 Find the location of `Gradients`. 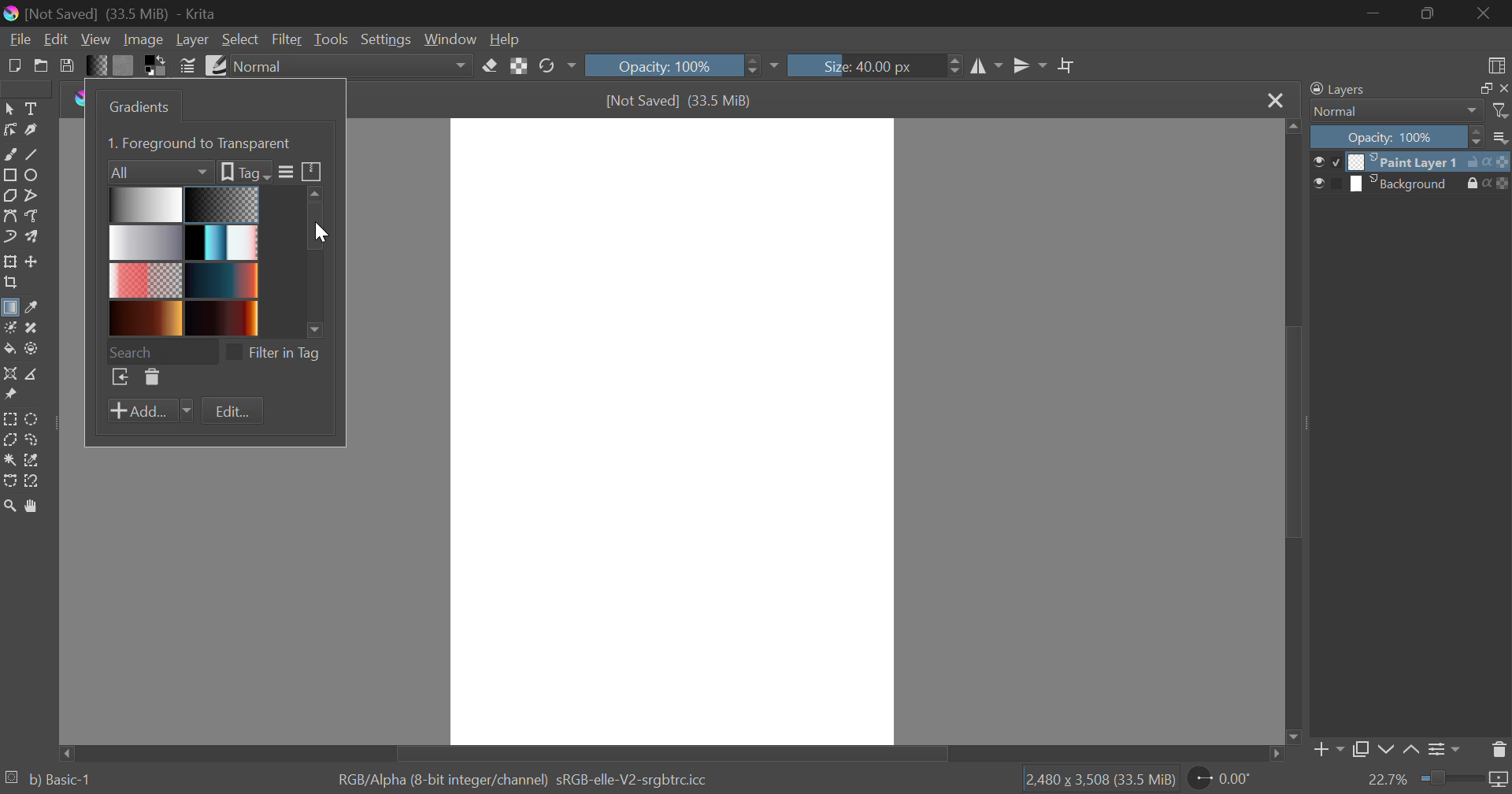

Gradients is located at coordinates (136, 106).